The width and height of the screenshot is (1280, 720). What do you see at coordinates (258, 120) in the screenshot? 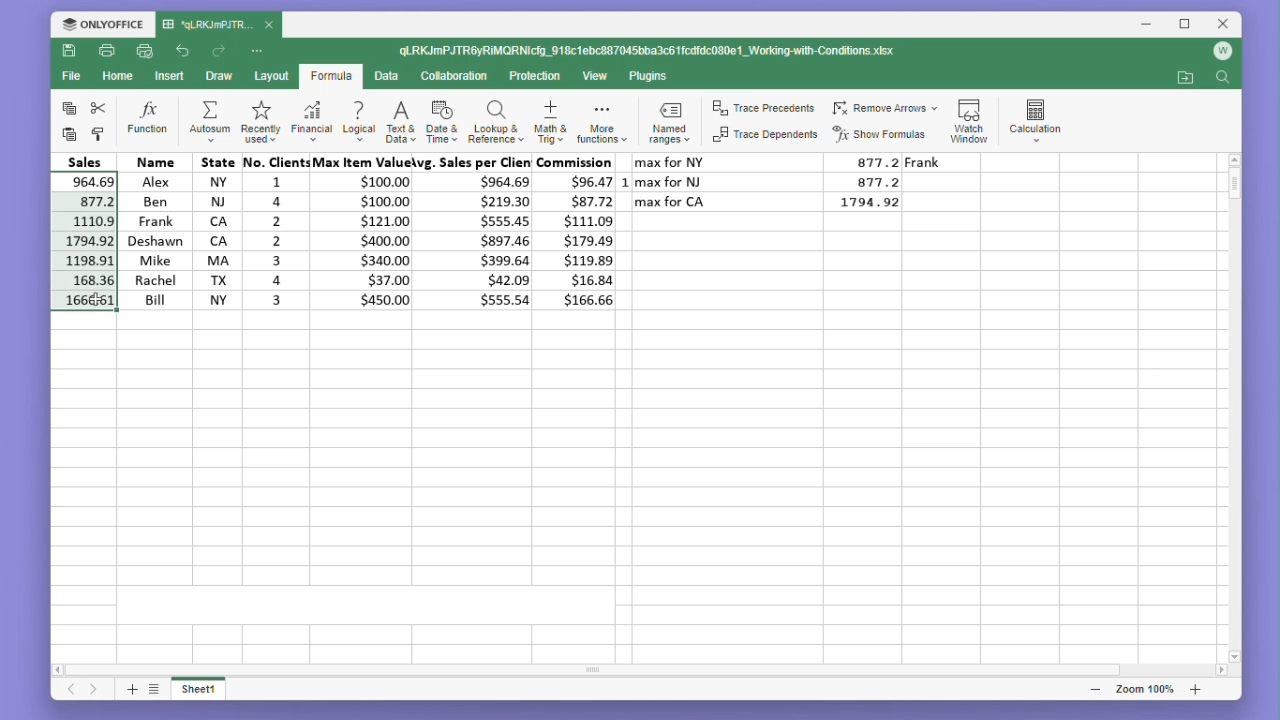
I see `Recently used` at bounding box center [258, 120].